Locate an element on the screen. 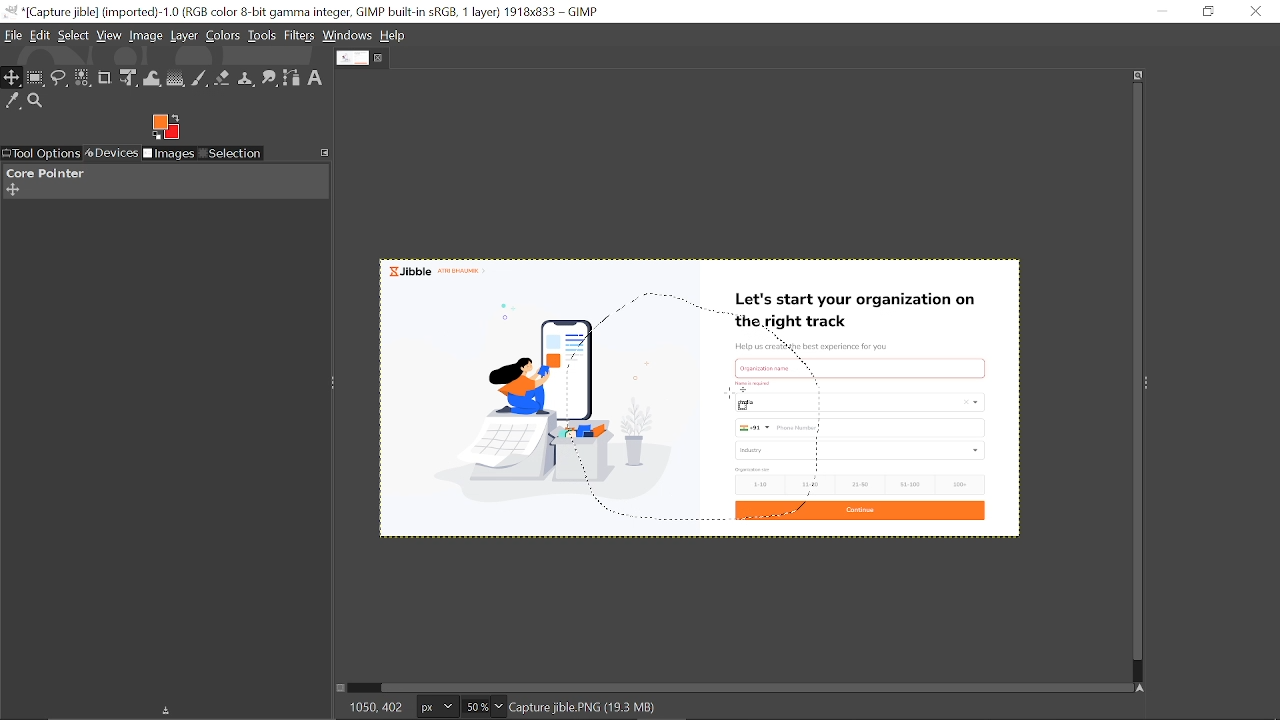 This screenshot has height=720, width=1280. View is located at coordinates (109, 35).